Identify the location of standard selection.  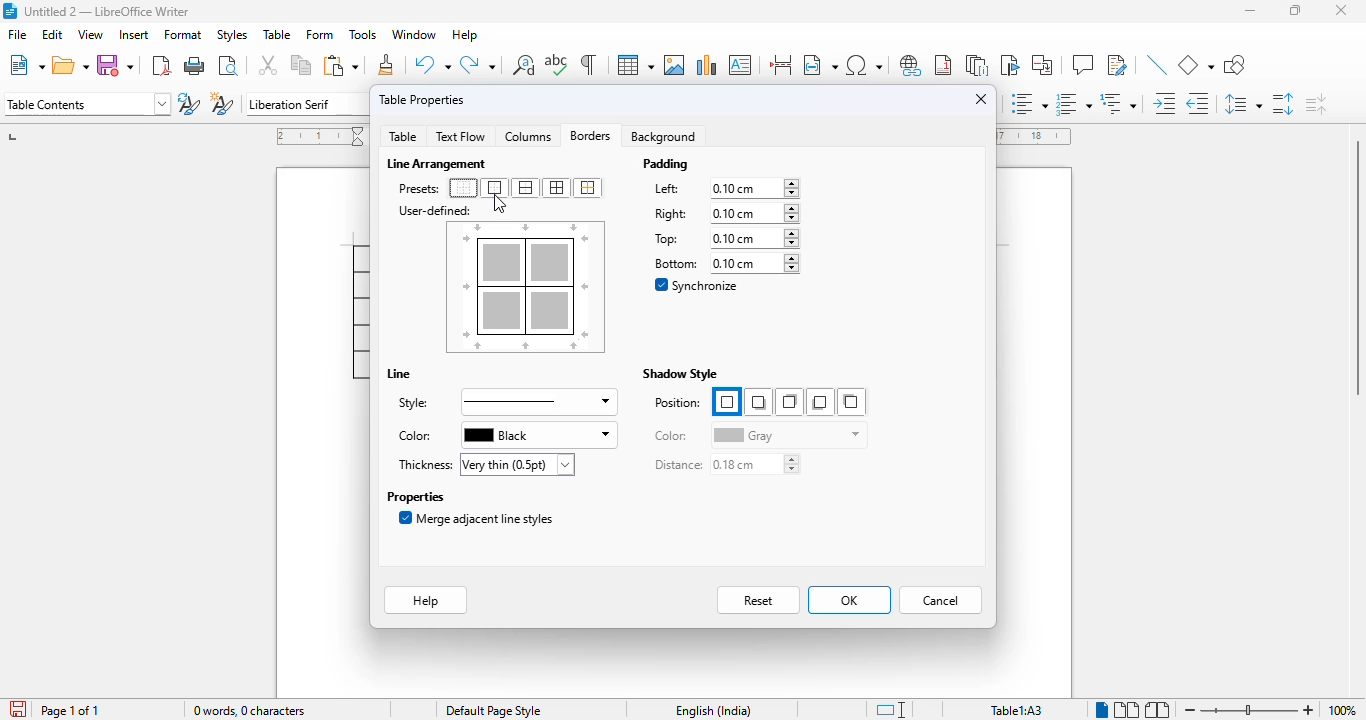
(891, 710).